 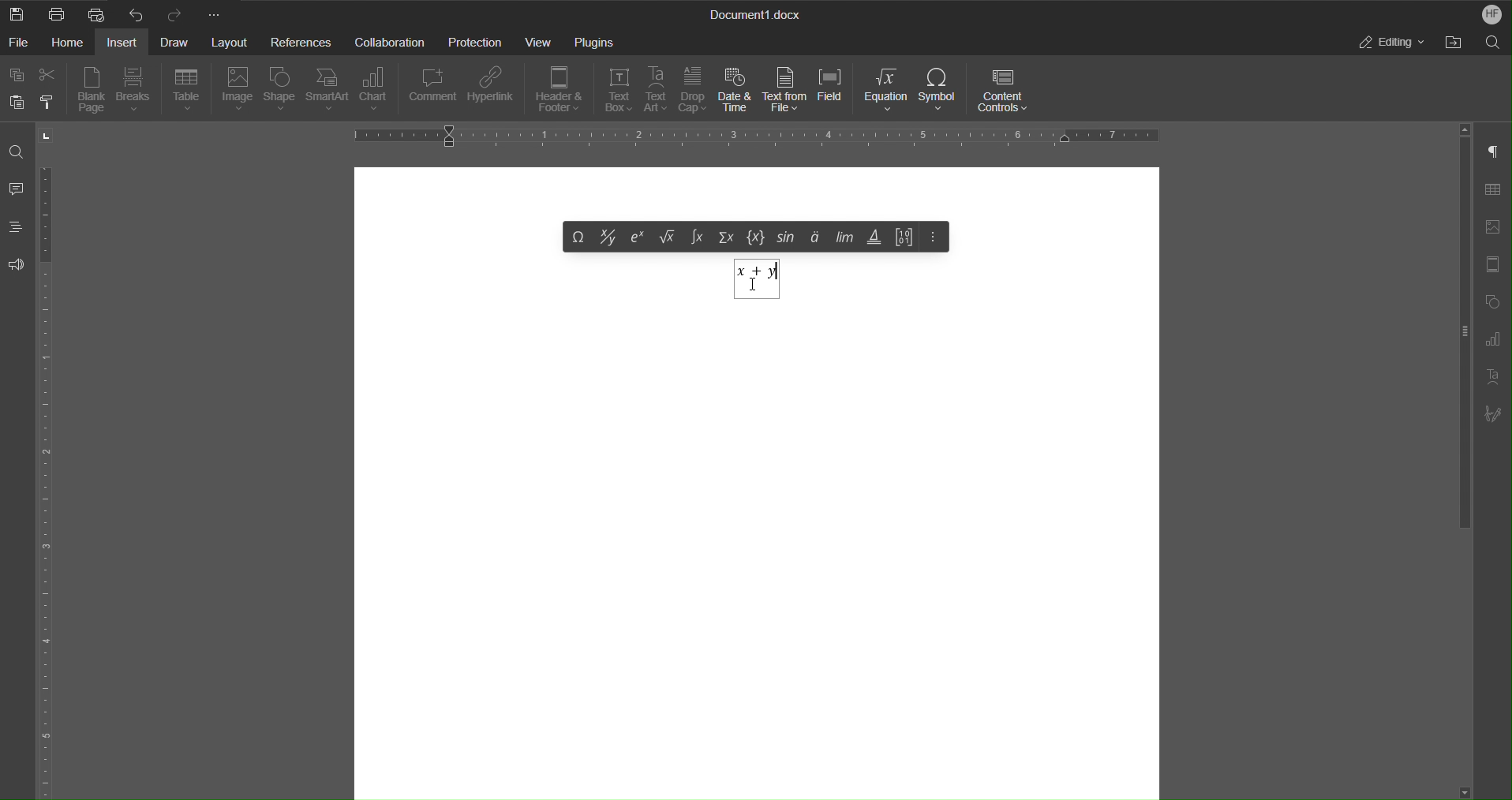 What do you see at coordinates (1492, 264) in the screenshot?
I see `Header/Footer` at bounding box center [1492, 264].